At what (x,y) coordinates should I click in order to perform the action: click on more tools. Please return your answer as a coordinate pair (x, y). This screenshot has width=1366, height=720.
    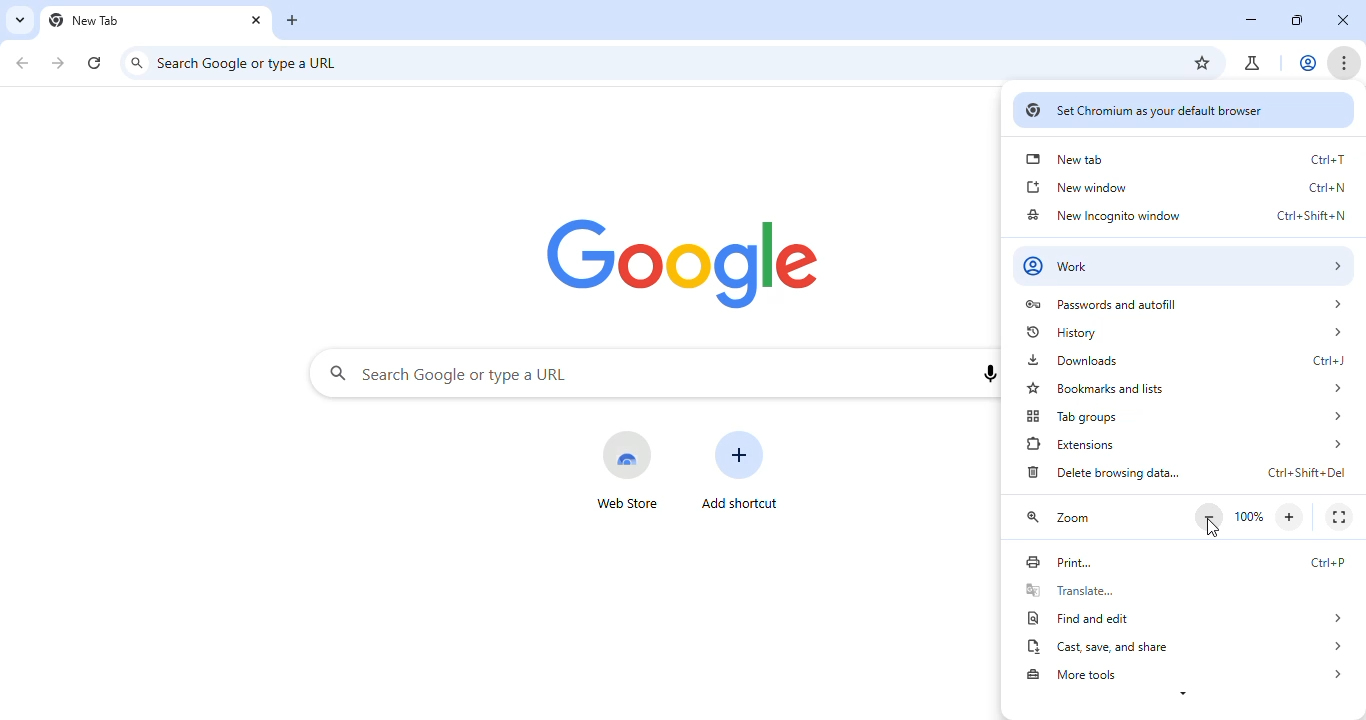
    Looking at the image, I should click on (1188, 674).